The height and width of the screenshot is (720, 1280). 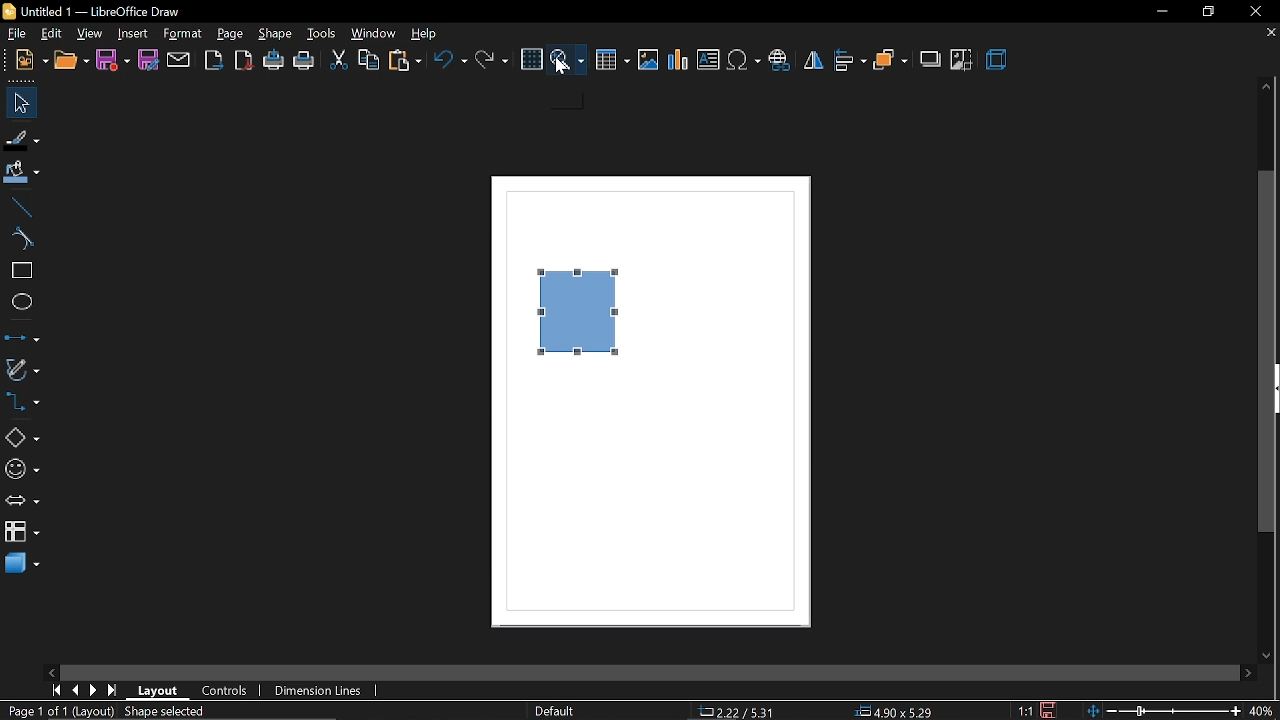 I want to click on select, so click(x=21, y=104).